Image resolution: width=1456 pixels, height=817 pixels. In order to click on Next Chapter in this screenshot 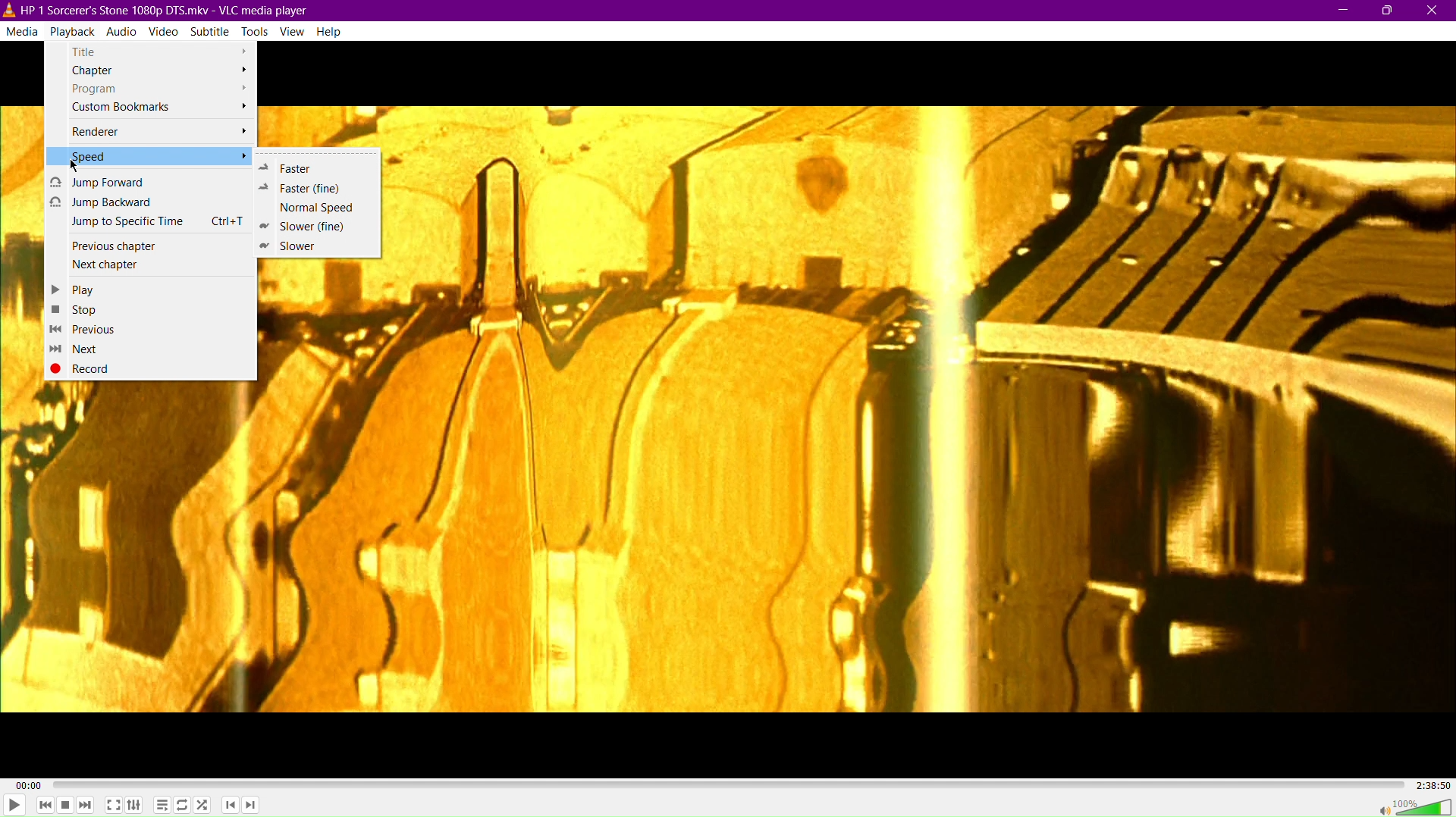, I will do `click(152, 265)`.